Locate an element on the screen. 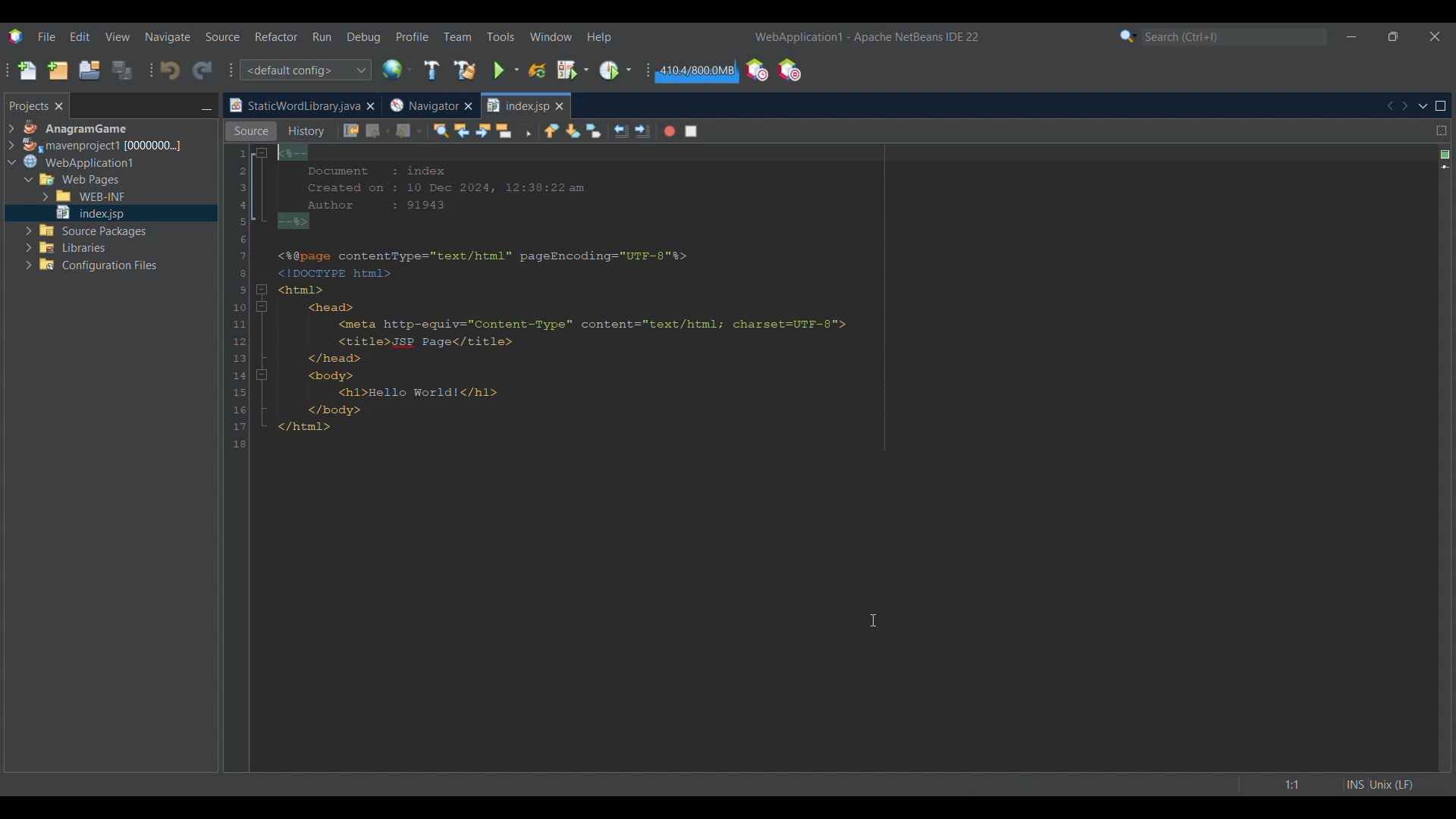  Debug menu is located at coordinates (364, 37).